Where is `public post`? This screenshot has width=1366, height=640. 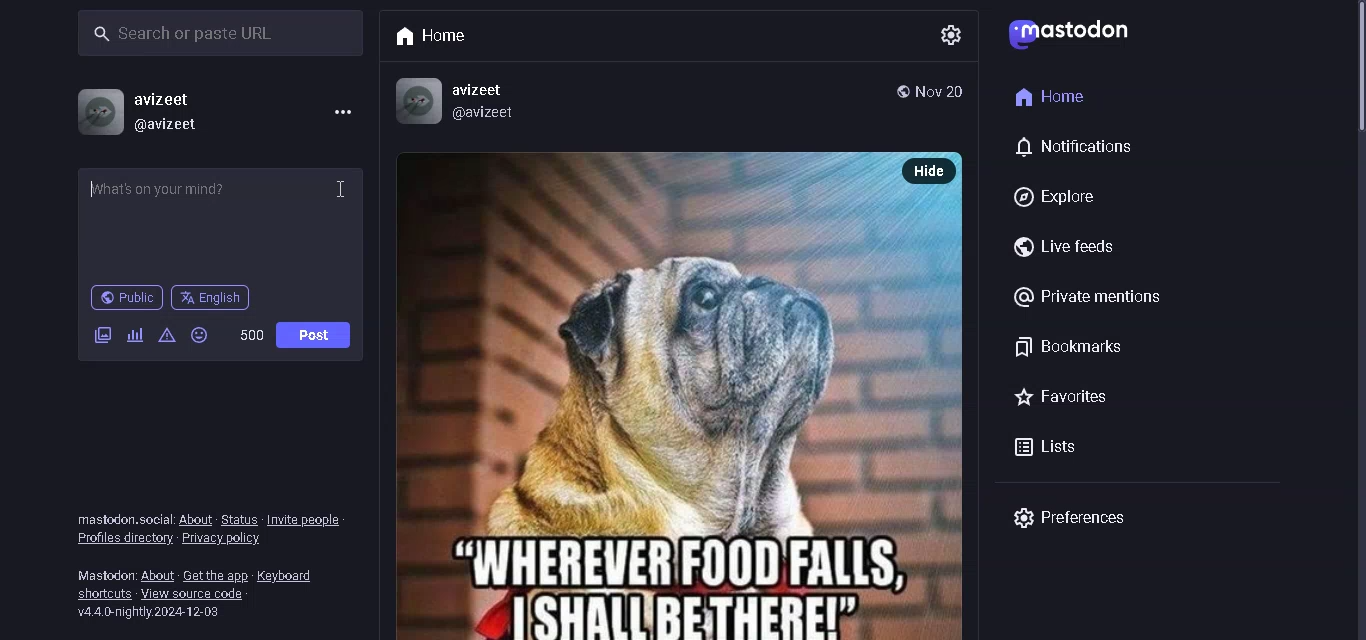 public post is located at coordinates (899, 90).